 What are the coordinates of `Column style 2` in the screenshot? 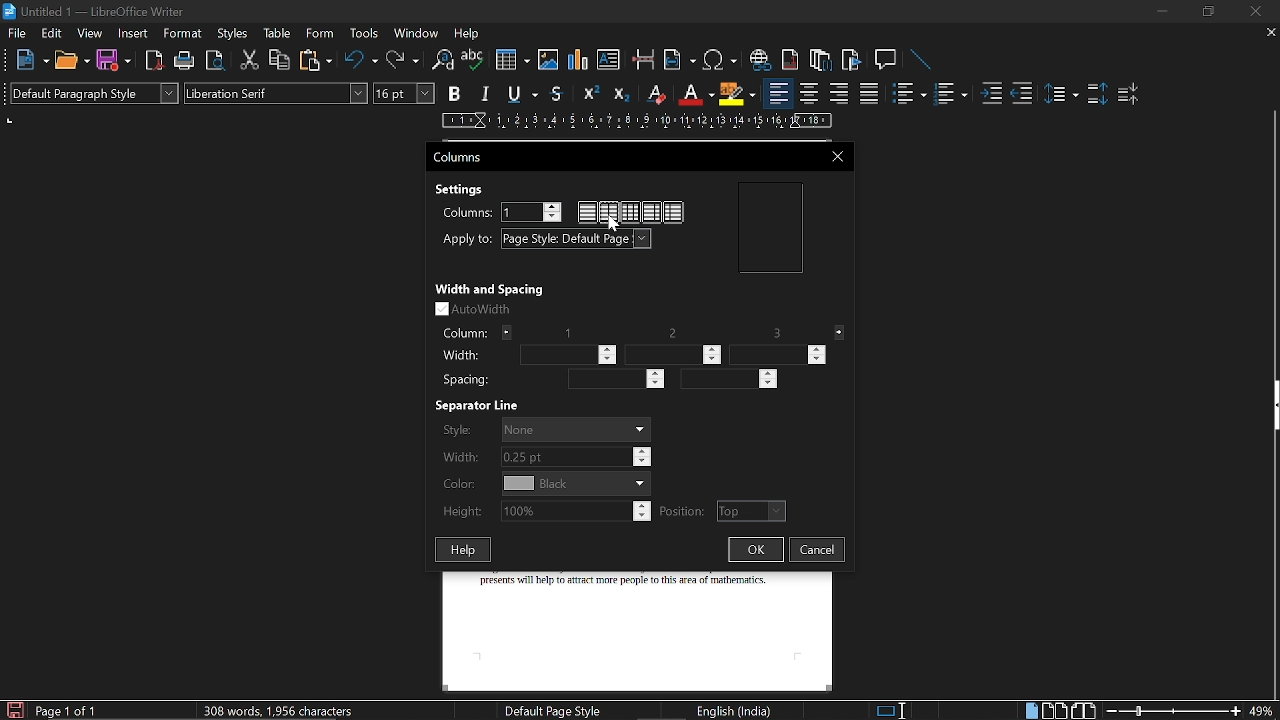 It's located at (650, 211).